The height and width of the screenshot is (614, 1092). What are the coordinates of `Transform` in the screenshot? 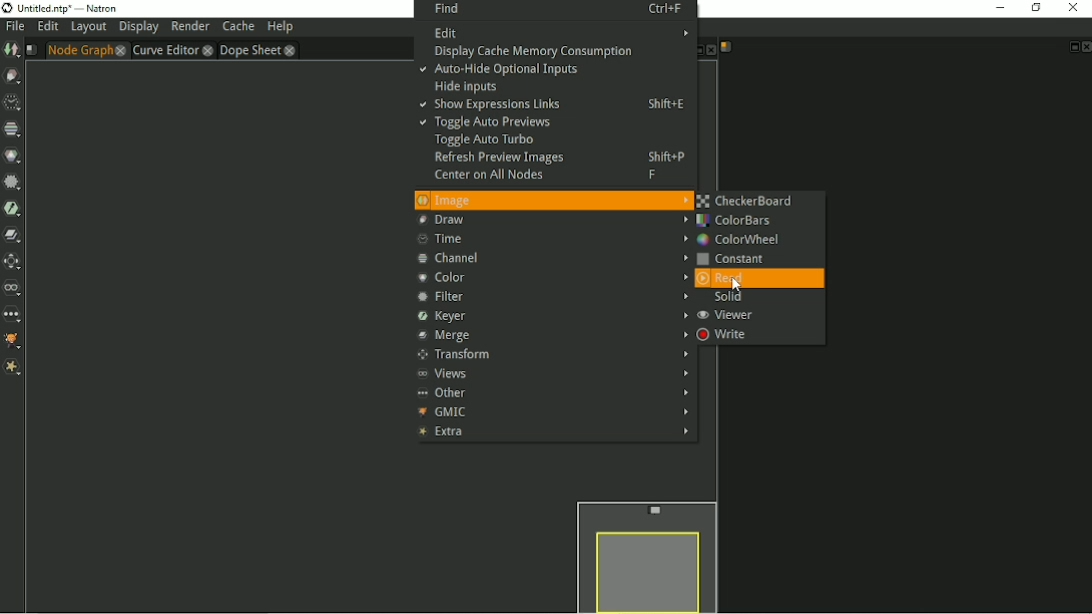 It's located at (13, 261).